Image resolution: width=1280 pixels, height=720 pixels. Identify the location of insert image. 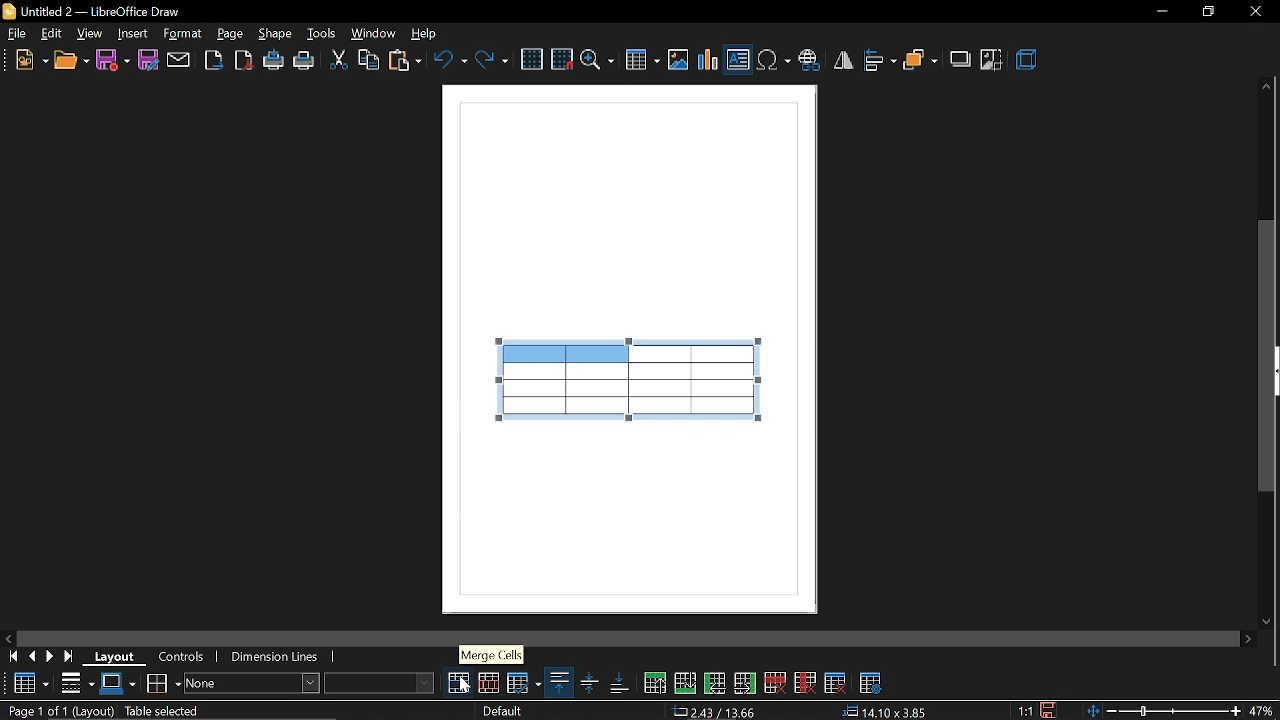
(677, 58).